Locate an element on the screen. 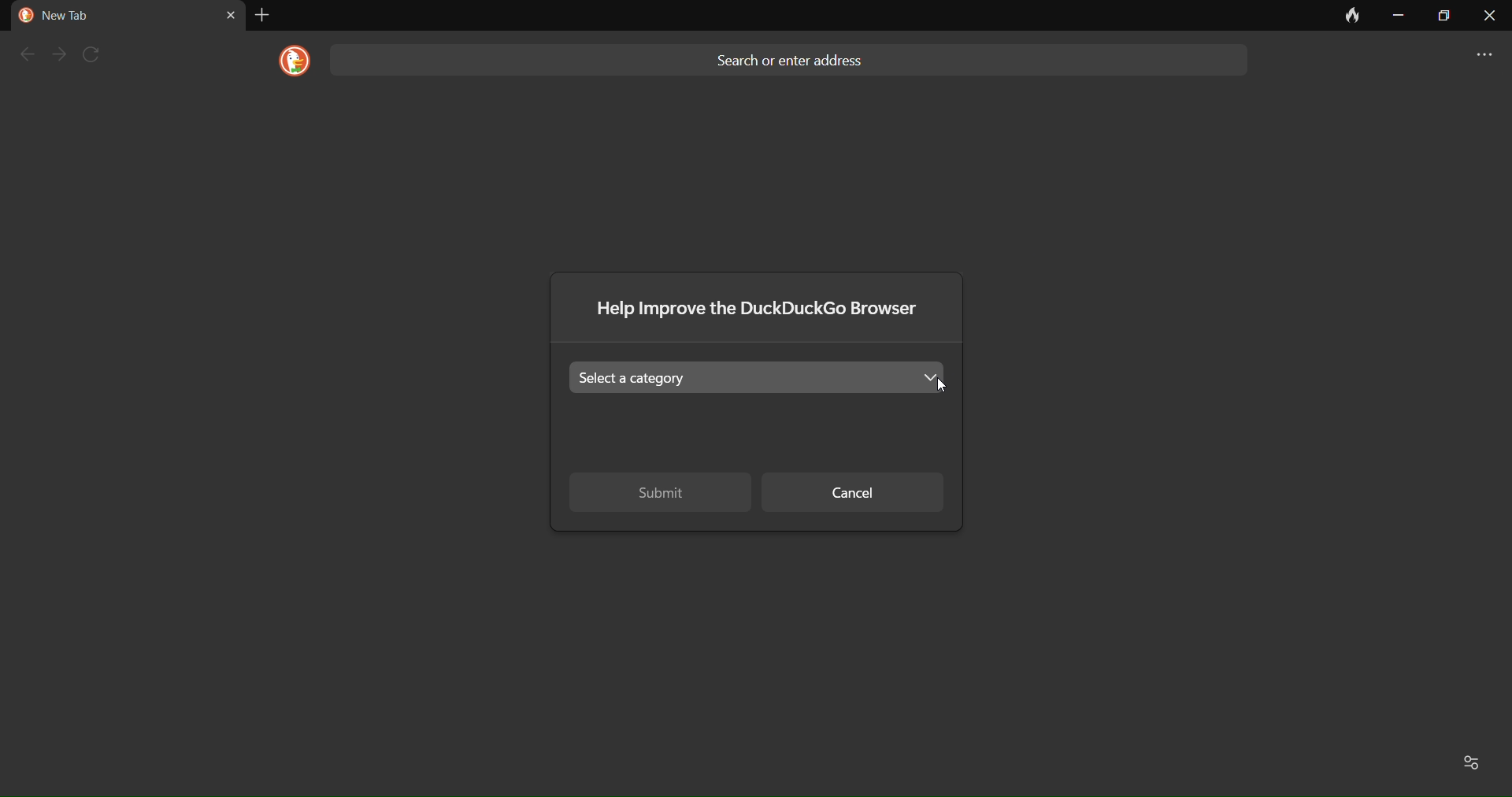 The width and height of the screenshot is (1512, 797). add tab is located at coordinates (261, 15).